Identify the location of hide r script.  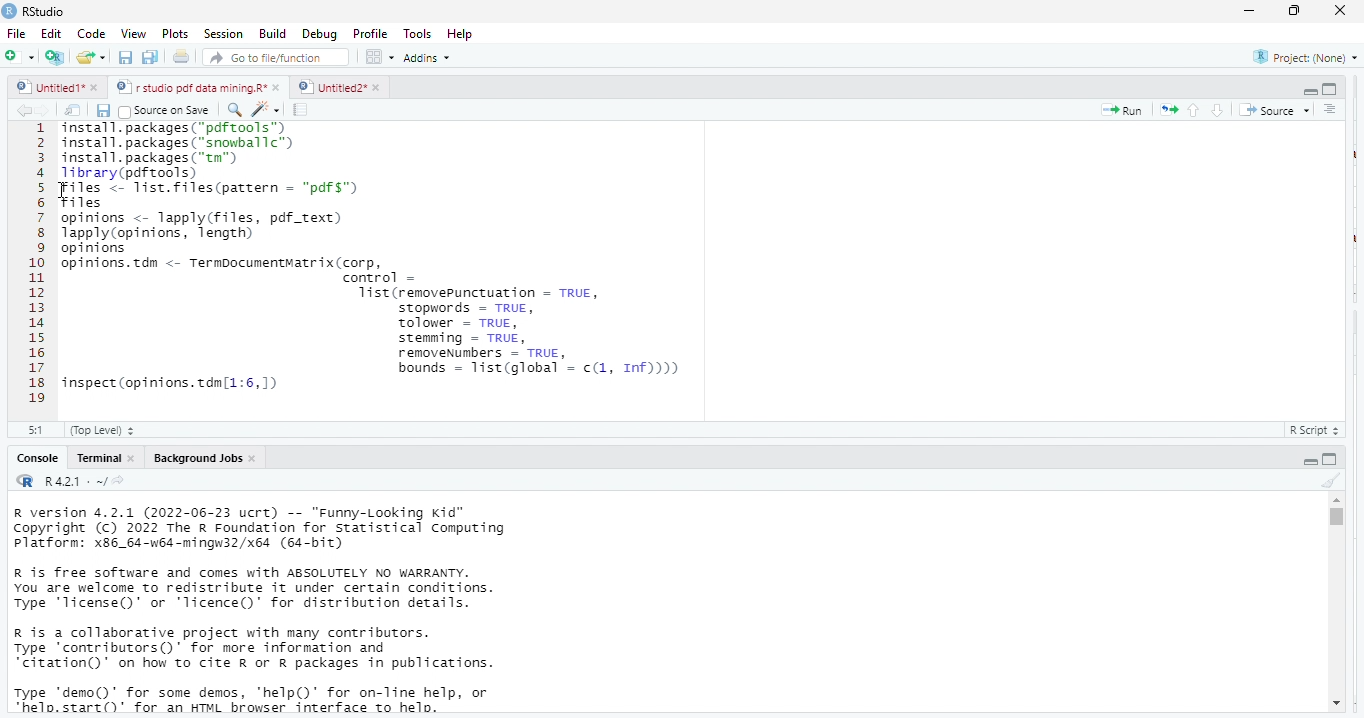
(1310, 92).